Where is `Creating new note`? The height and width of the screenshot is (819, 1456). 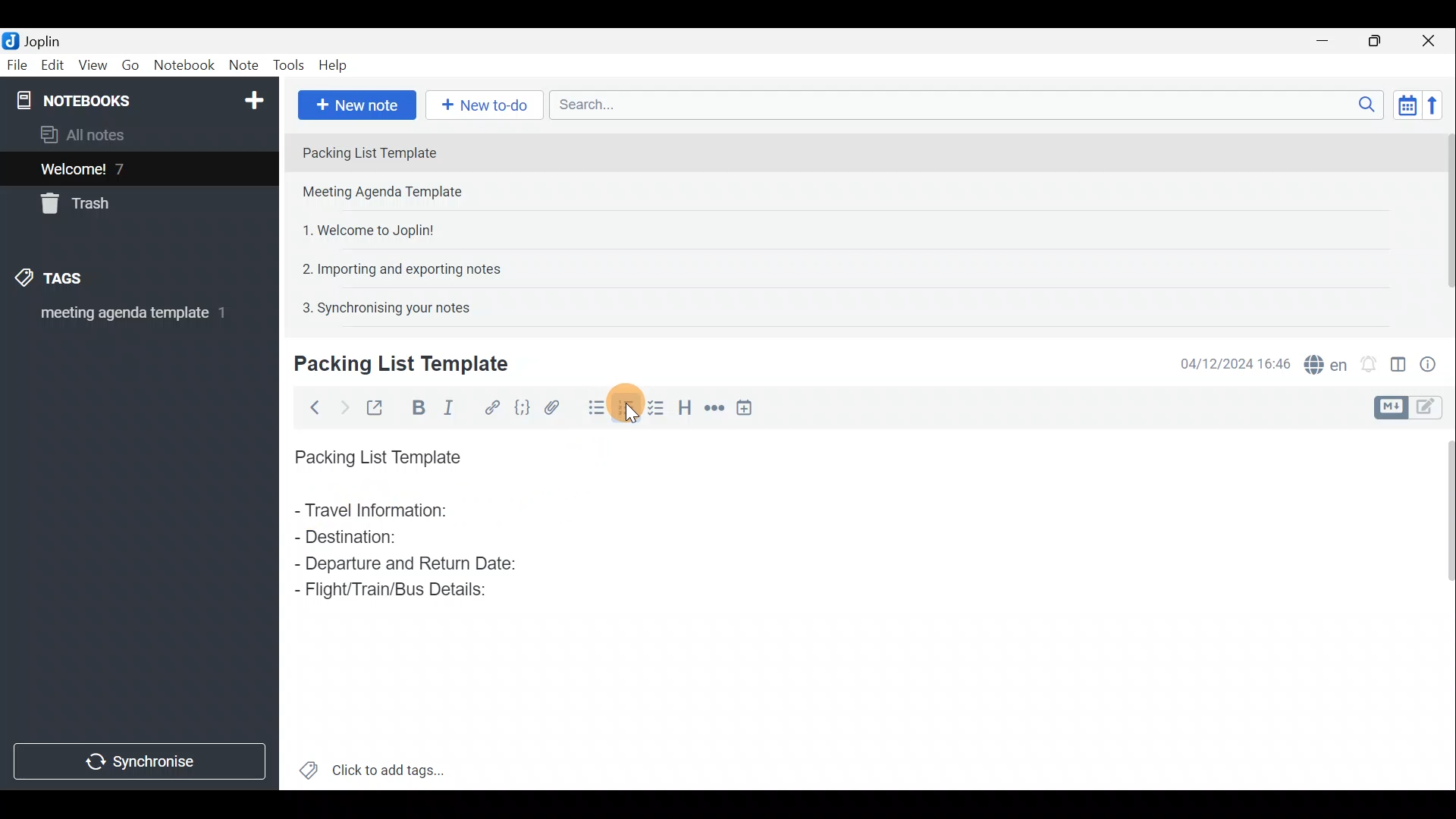
Creating new note is located at coordinates (392, 365).